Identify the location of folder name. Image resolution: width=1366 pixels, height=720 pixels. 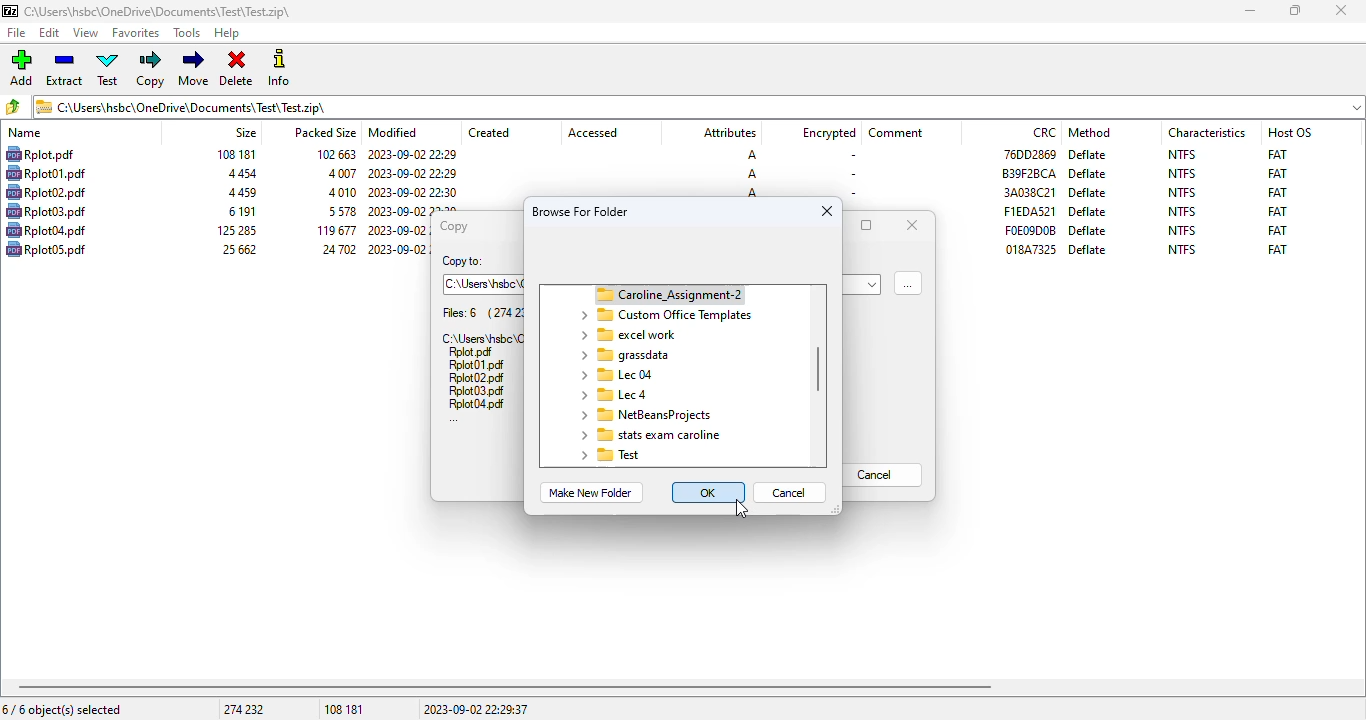
(630, 335).